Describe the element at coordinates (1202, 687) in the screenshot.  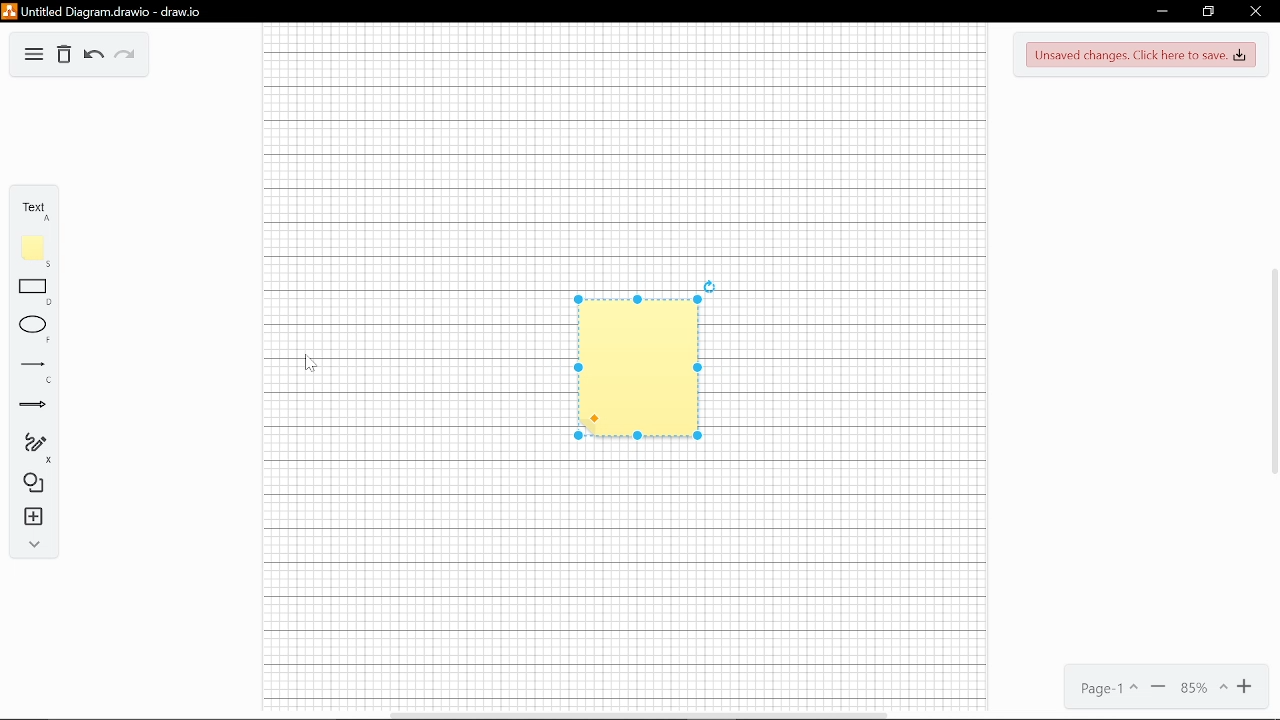
I see `Current zoom` at that location.